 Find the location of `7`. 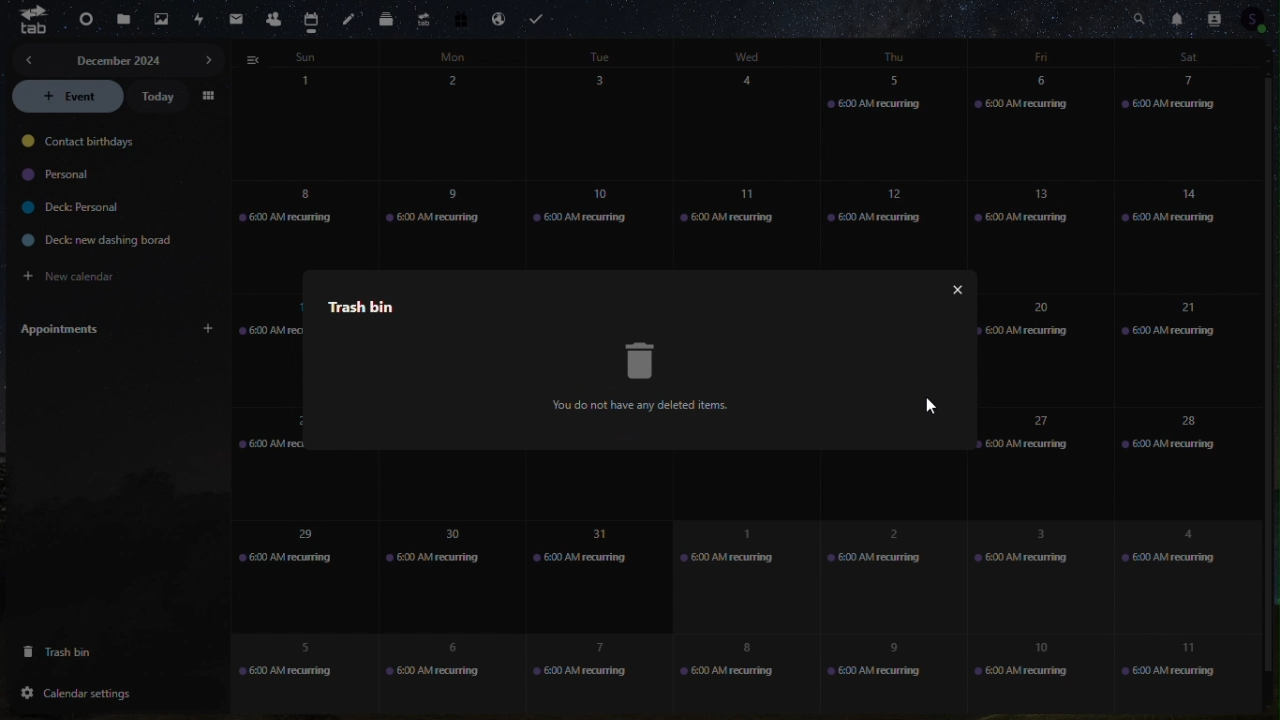

7 is located at coordinates (1190, 128).